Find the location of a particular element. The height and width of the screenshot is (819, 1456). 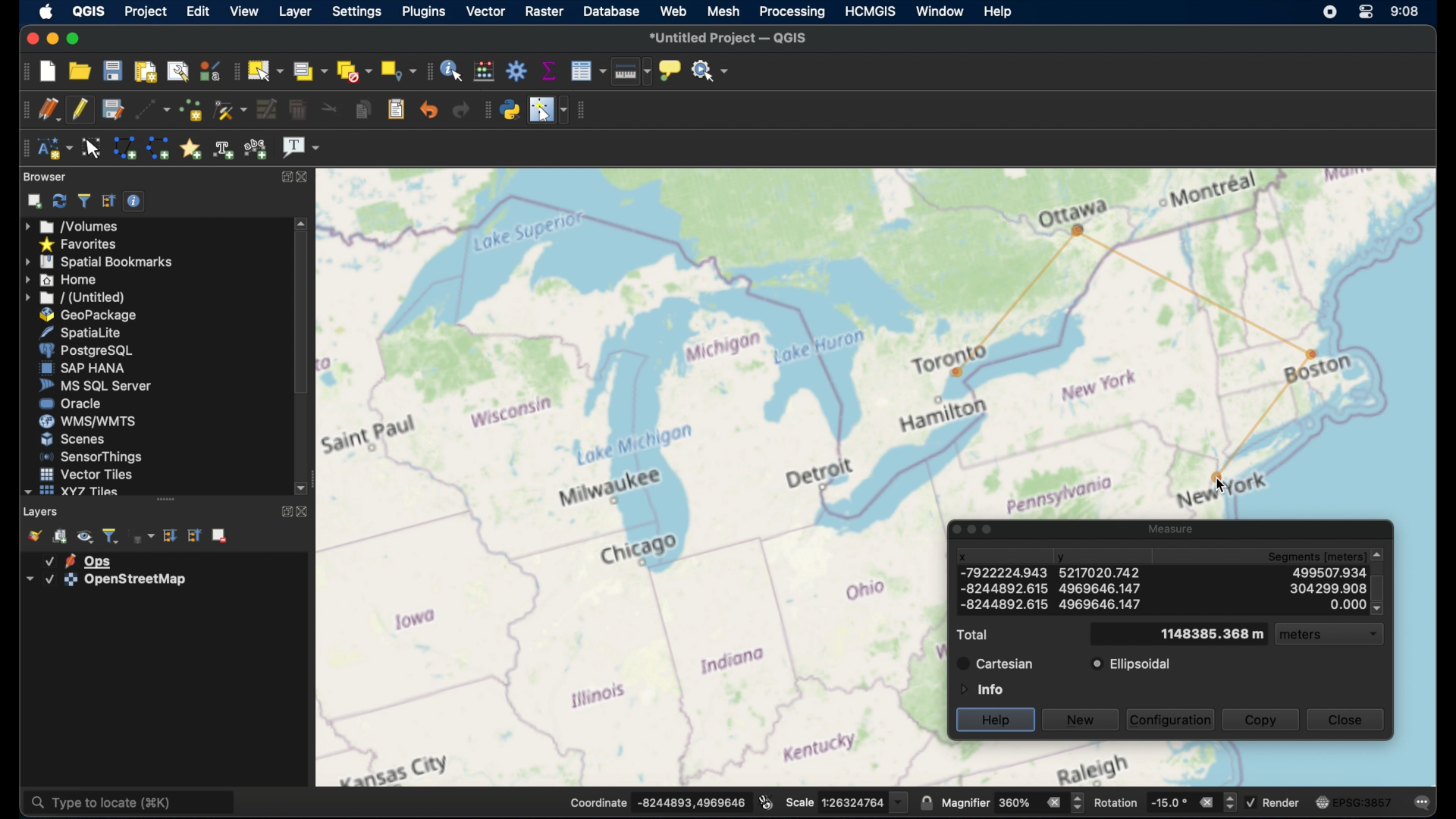

close is located at coordinates (1350, 720).